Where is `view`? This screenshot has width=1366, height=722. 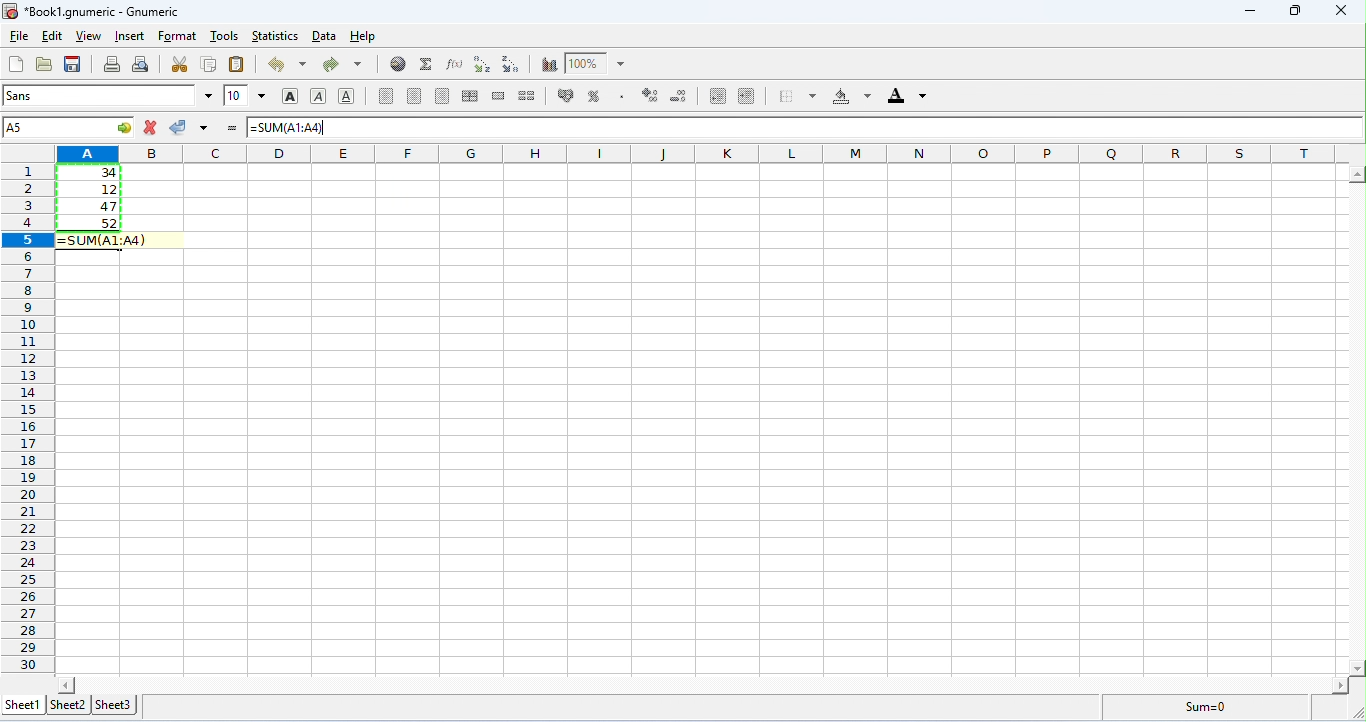 view is located at coordinates (89, 37).